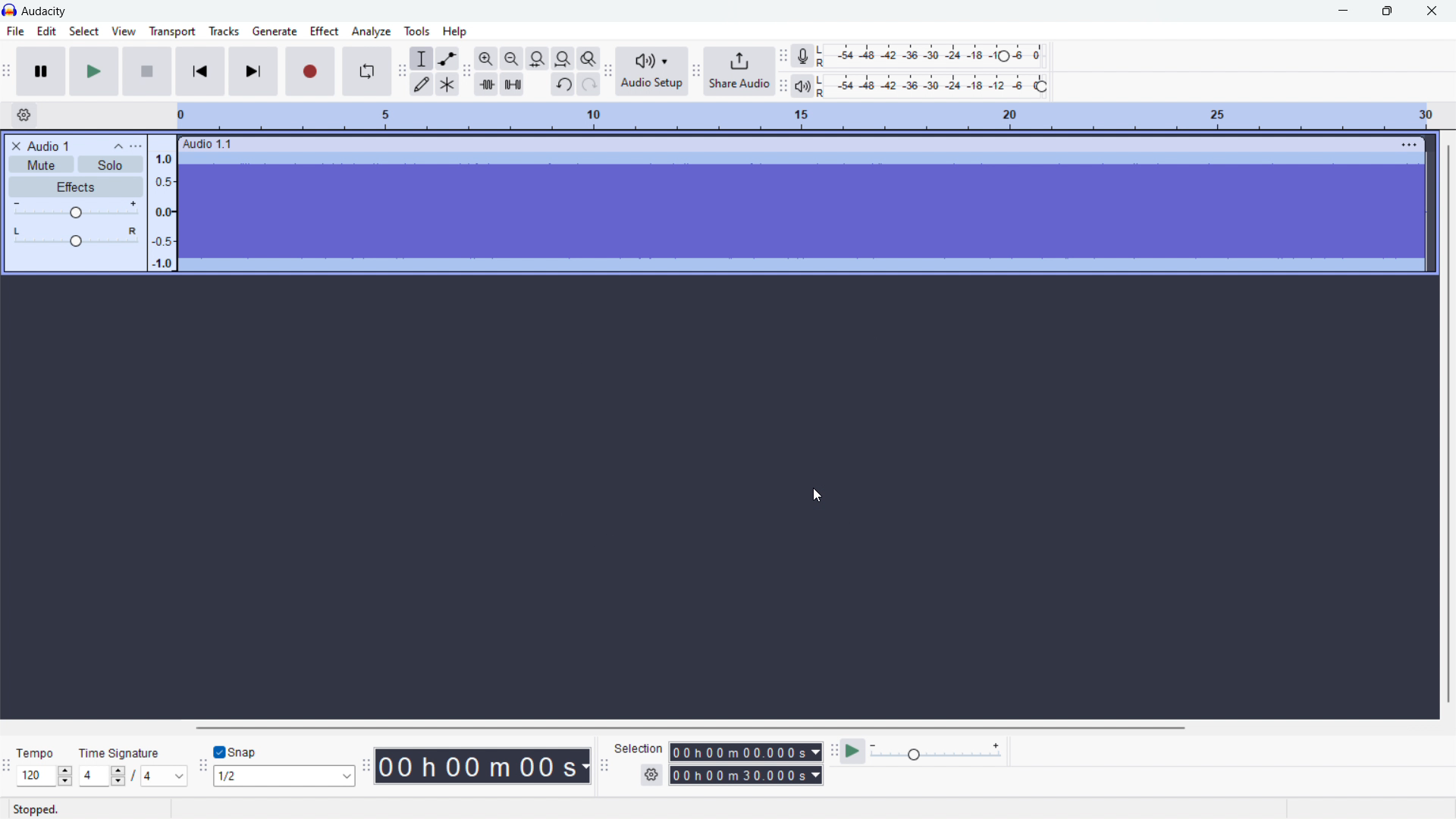  What do you see at coordinates (372, 31) in the screenshot?
I see `analyze` at bounding box center [372, 31].